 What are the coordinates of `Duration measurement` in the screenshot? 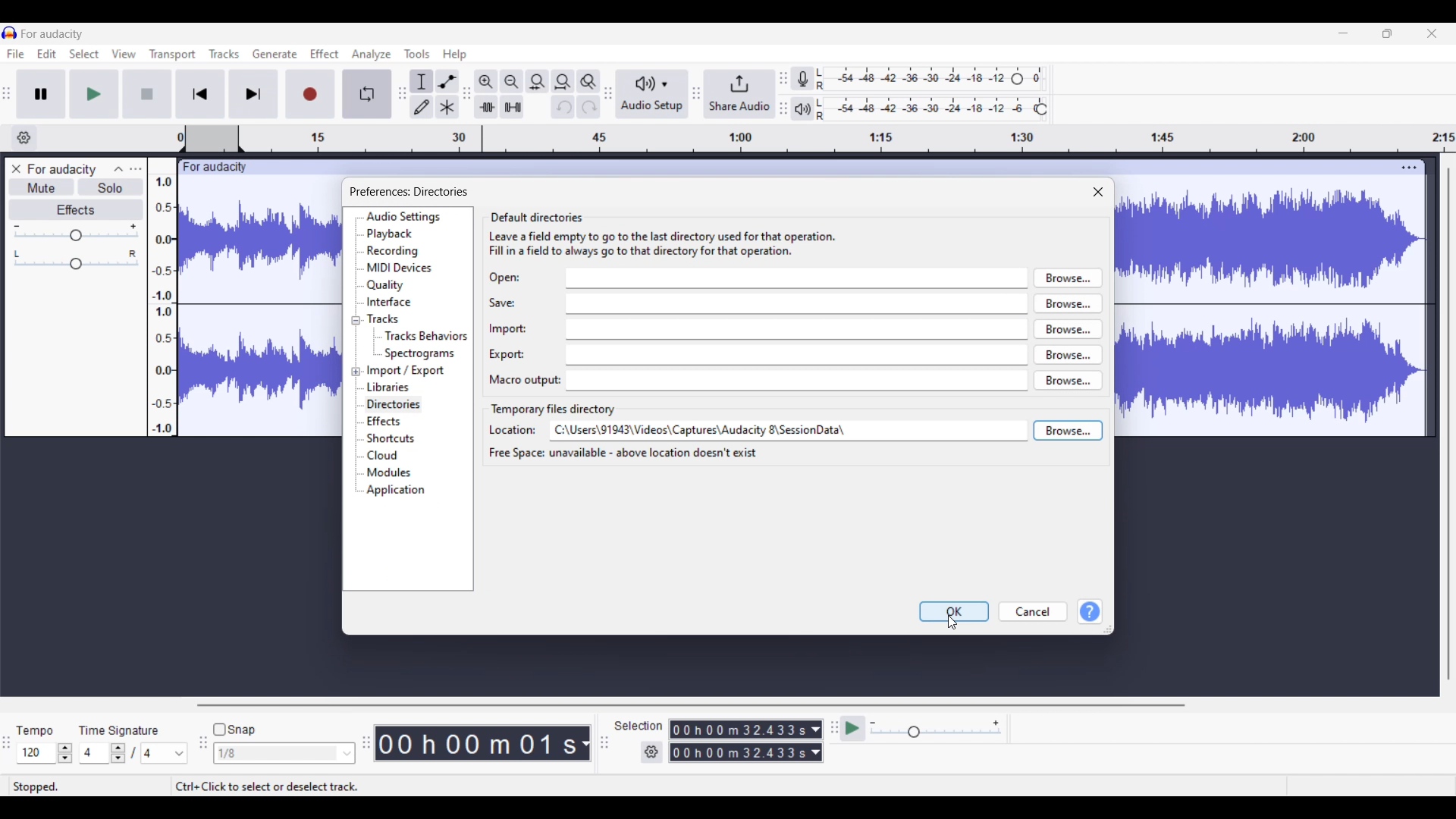 It's located at (816, 742).